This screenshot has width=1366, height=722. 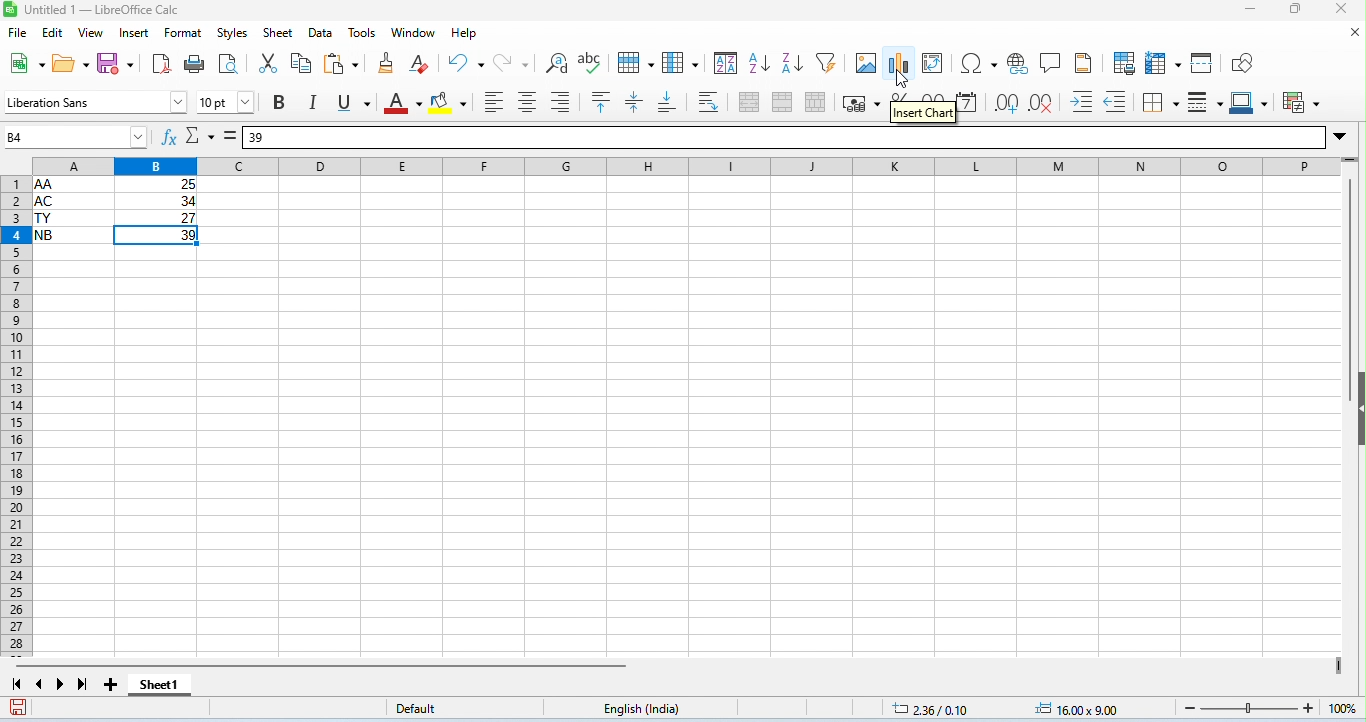 What do you see at coordinates (1304, 102) in the screenshot?
I see `conditional` at bounding box center [1304, 102].